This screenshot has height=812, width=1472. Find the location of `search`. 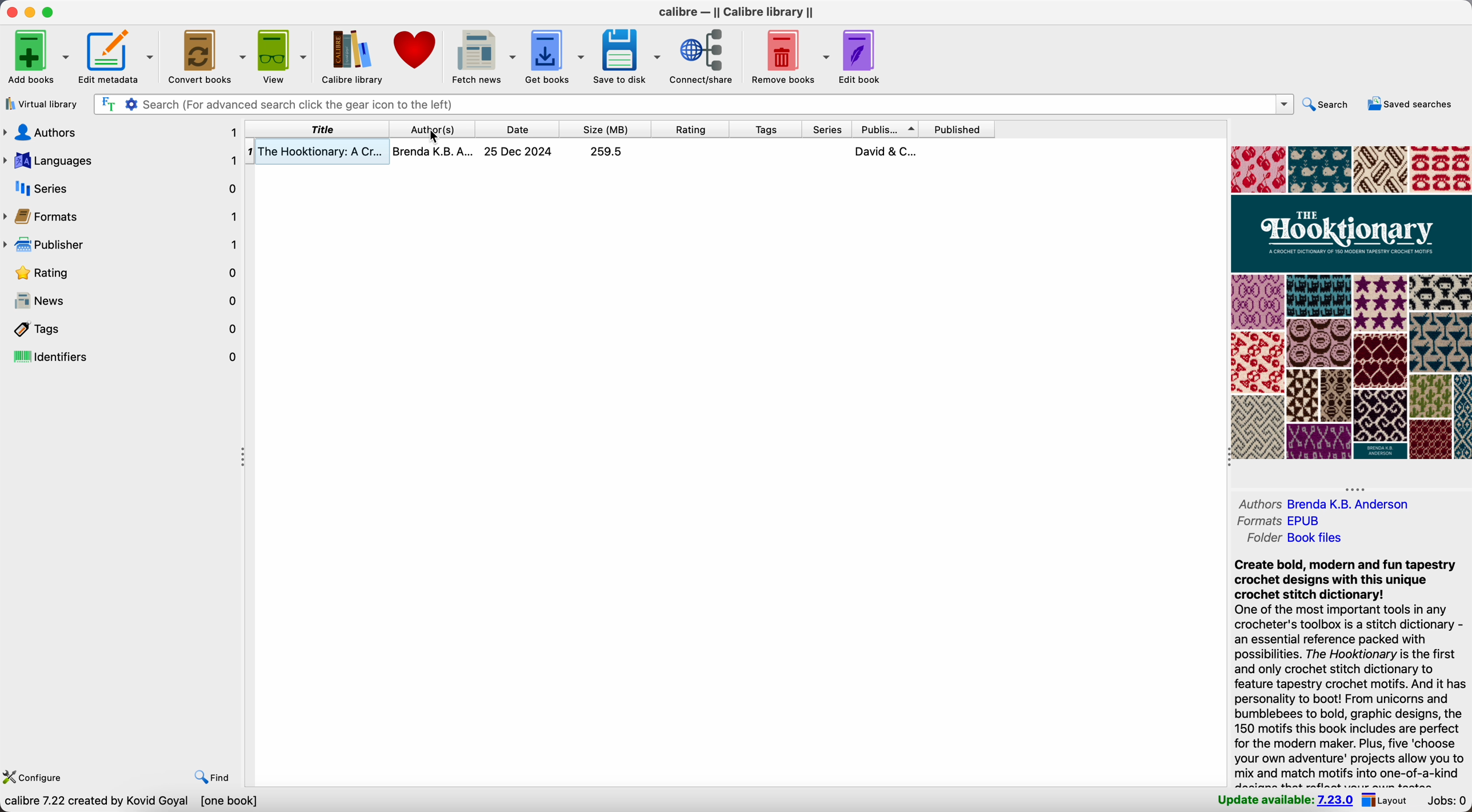

search is located at coordinates (1330, 105).